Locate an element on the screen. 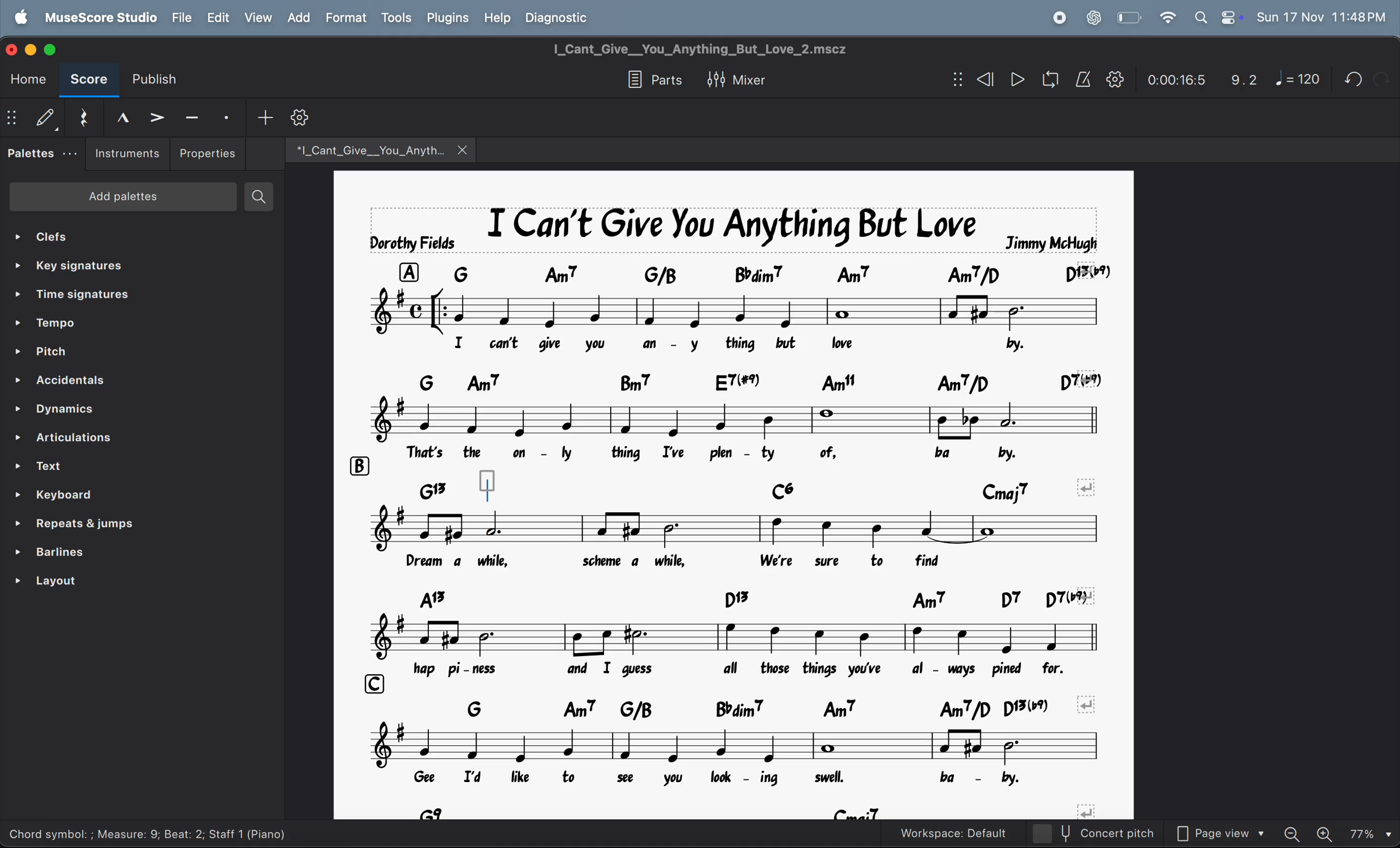 The height and width of the screenshot is (848, 1400). add is located at coordinates (267, 117).